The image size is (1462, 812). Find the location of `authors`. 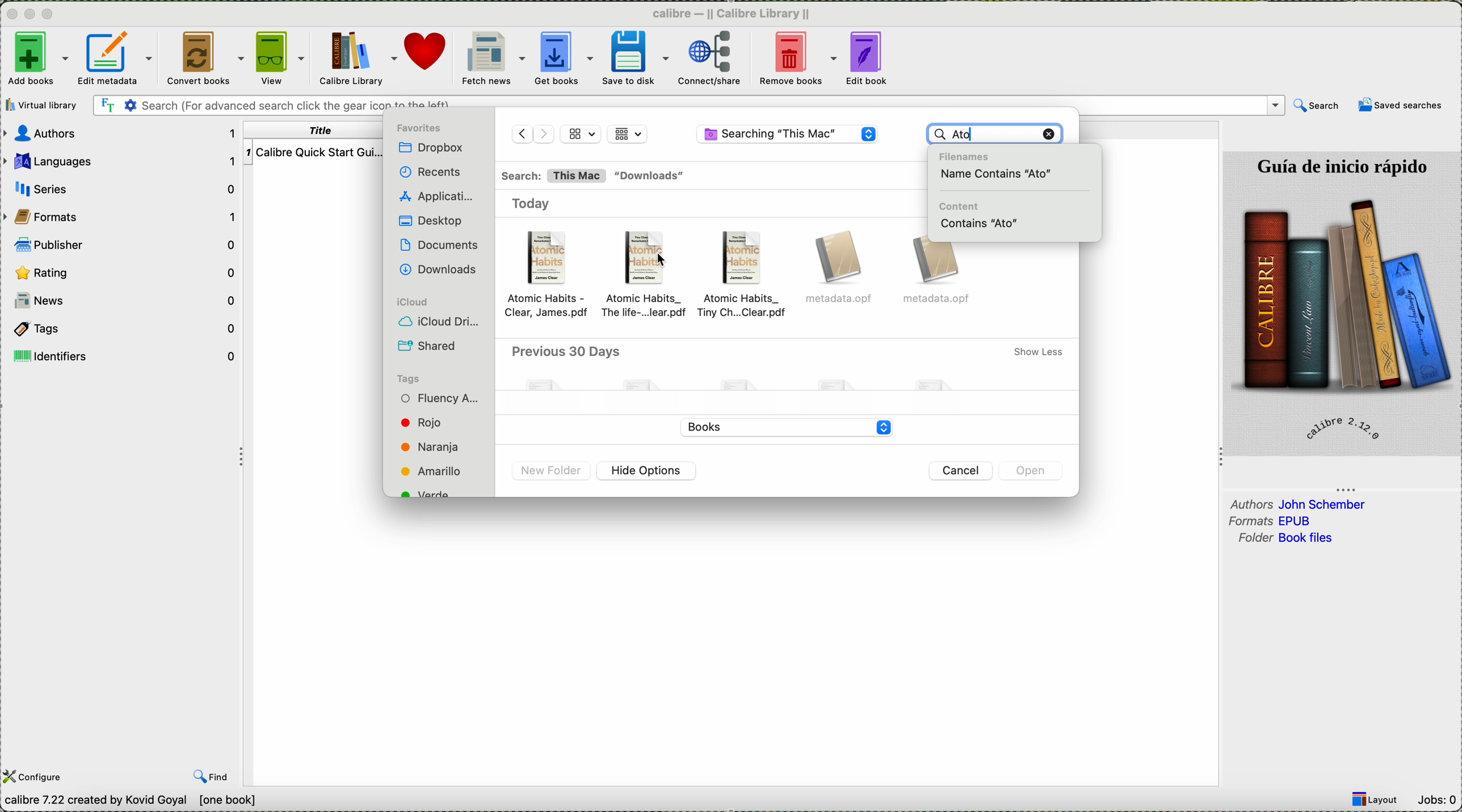

authors is located at coordinates (123, 134).